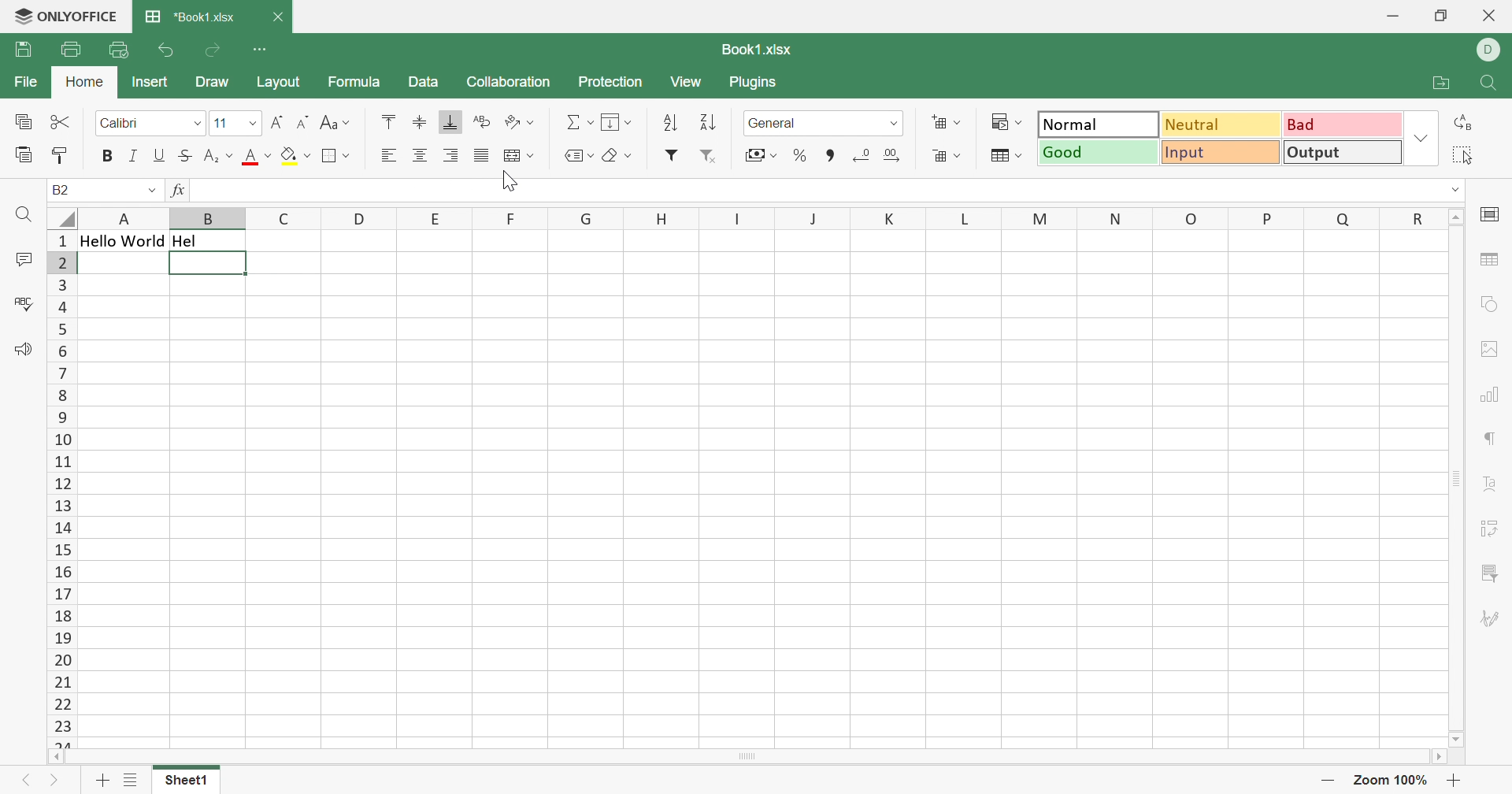 The image size is (1512, 794). Describe the element at coordinates (480, 157) in the screenshot. I see `Justified` at that location.